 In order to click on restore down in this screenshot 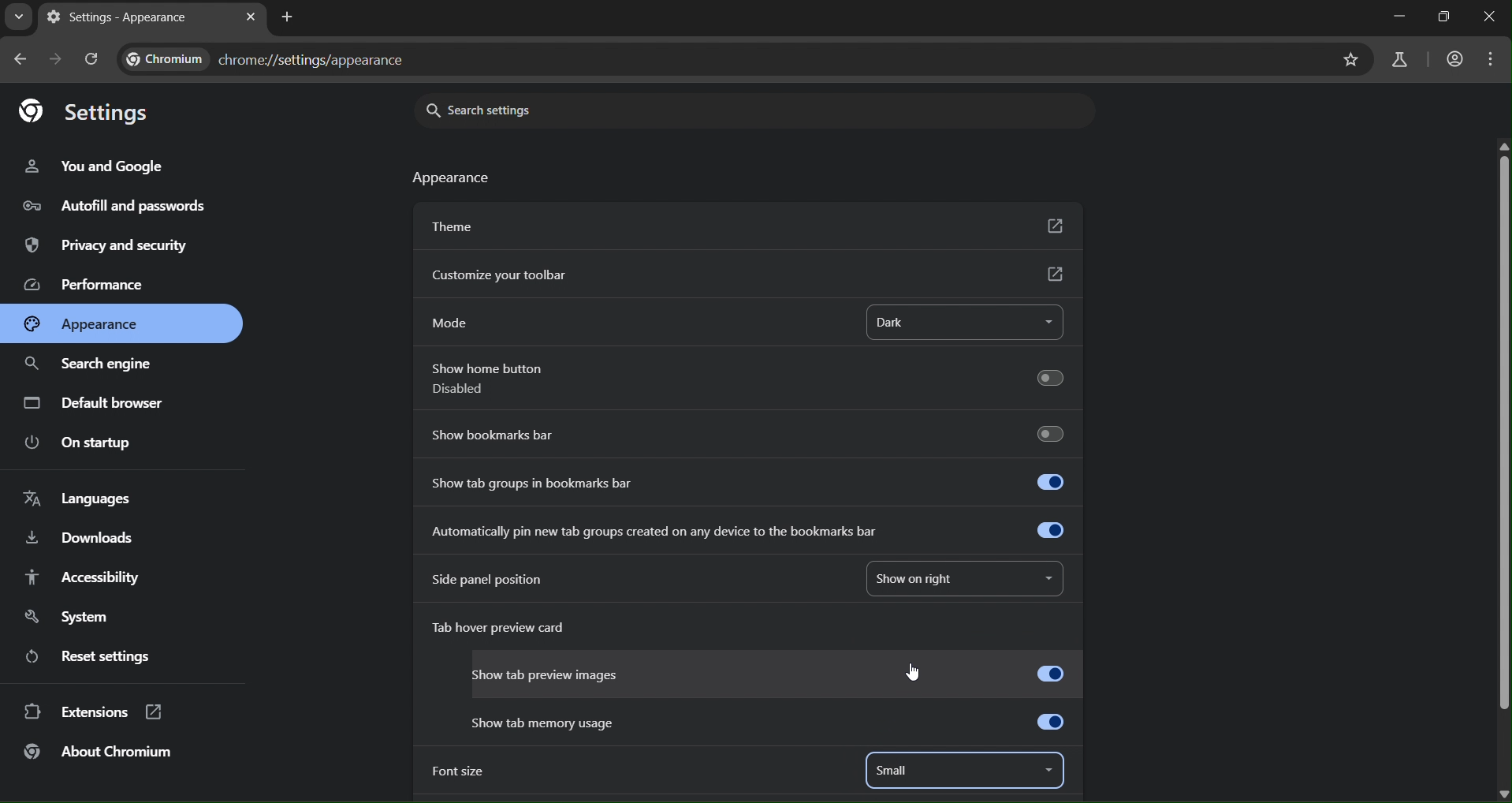, I will do `click(1442, 18)`.